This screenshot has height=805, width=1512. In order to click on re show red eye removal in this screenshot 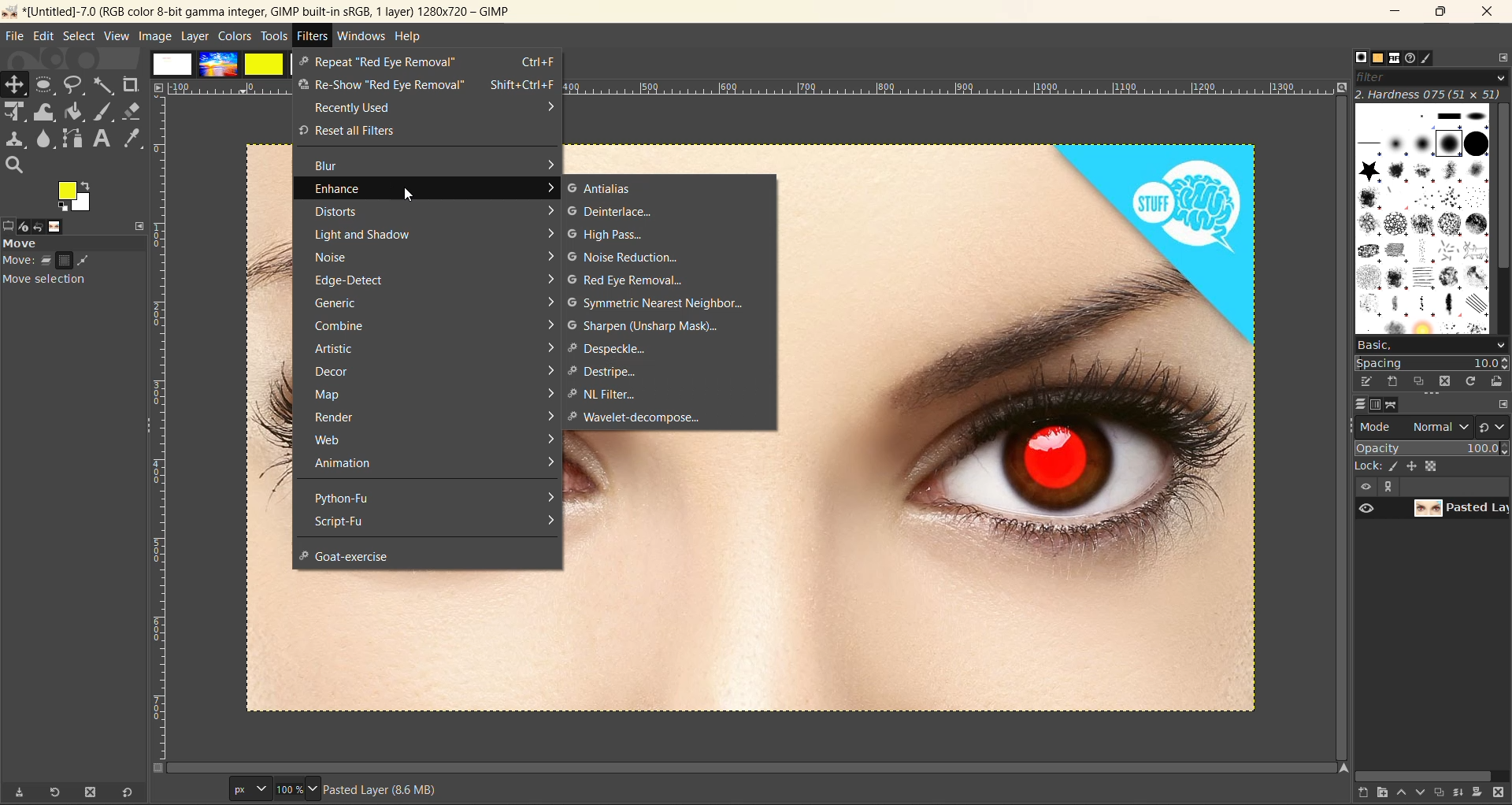, I will do `click(426, 86)`.